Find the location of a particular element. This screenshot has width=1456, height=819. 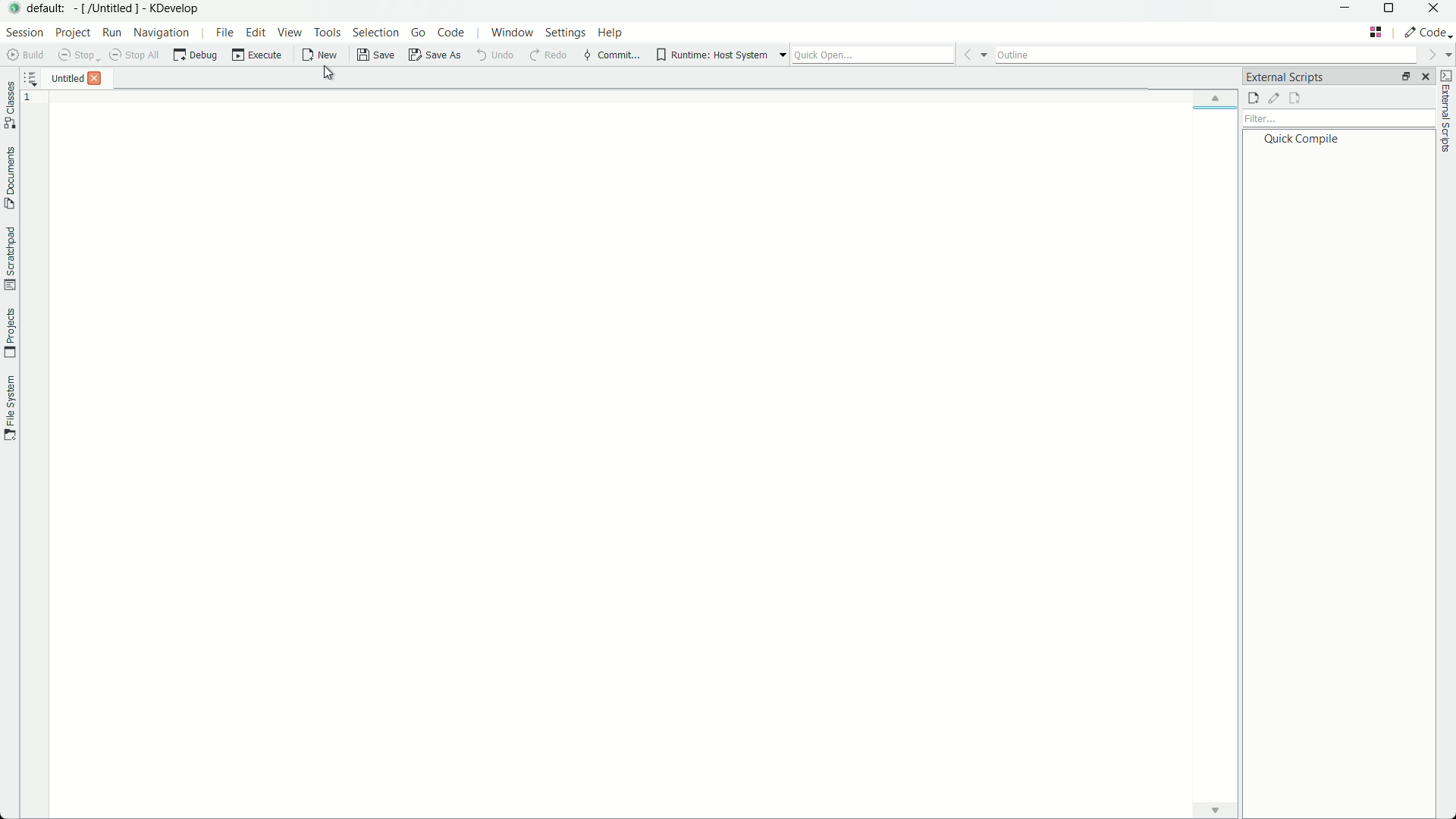

maximize or restore is located at coordinates (1389, 11).